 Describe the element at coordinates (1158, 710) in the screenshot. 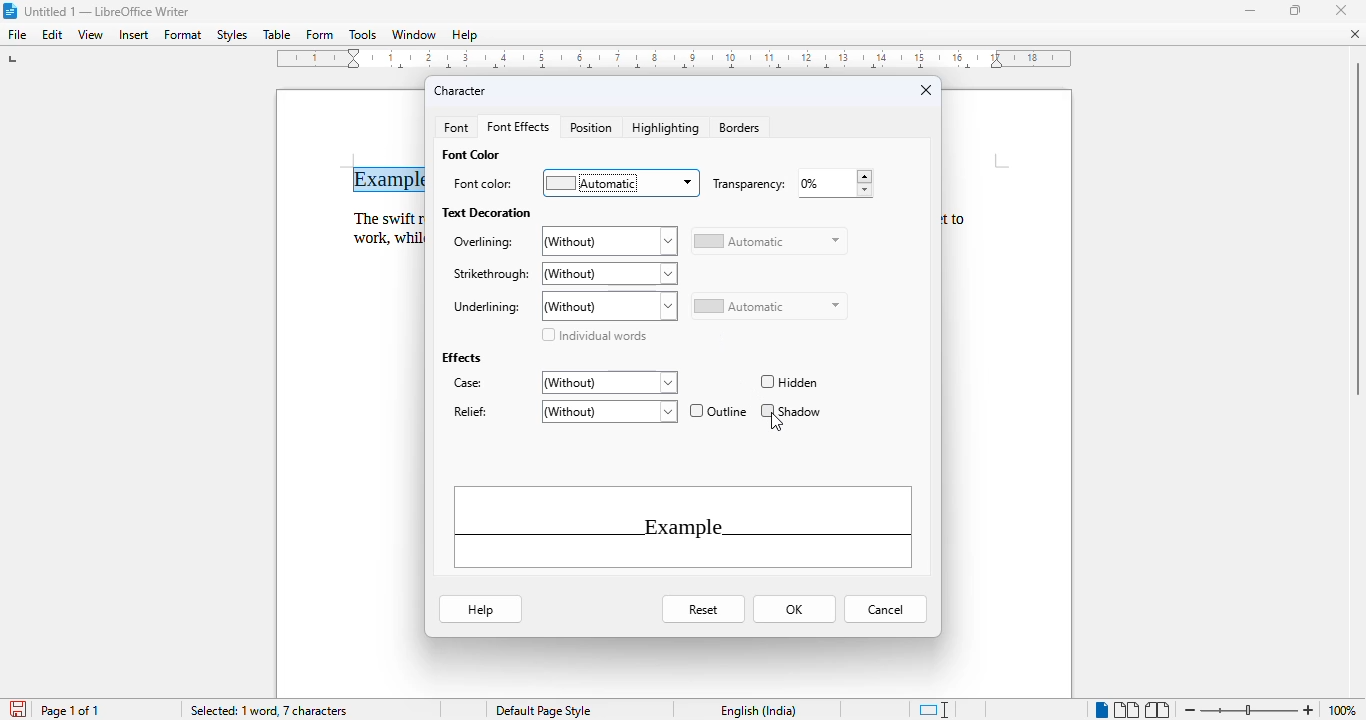

I see `book view` at that location.